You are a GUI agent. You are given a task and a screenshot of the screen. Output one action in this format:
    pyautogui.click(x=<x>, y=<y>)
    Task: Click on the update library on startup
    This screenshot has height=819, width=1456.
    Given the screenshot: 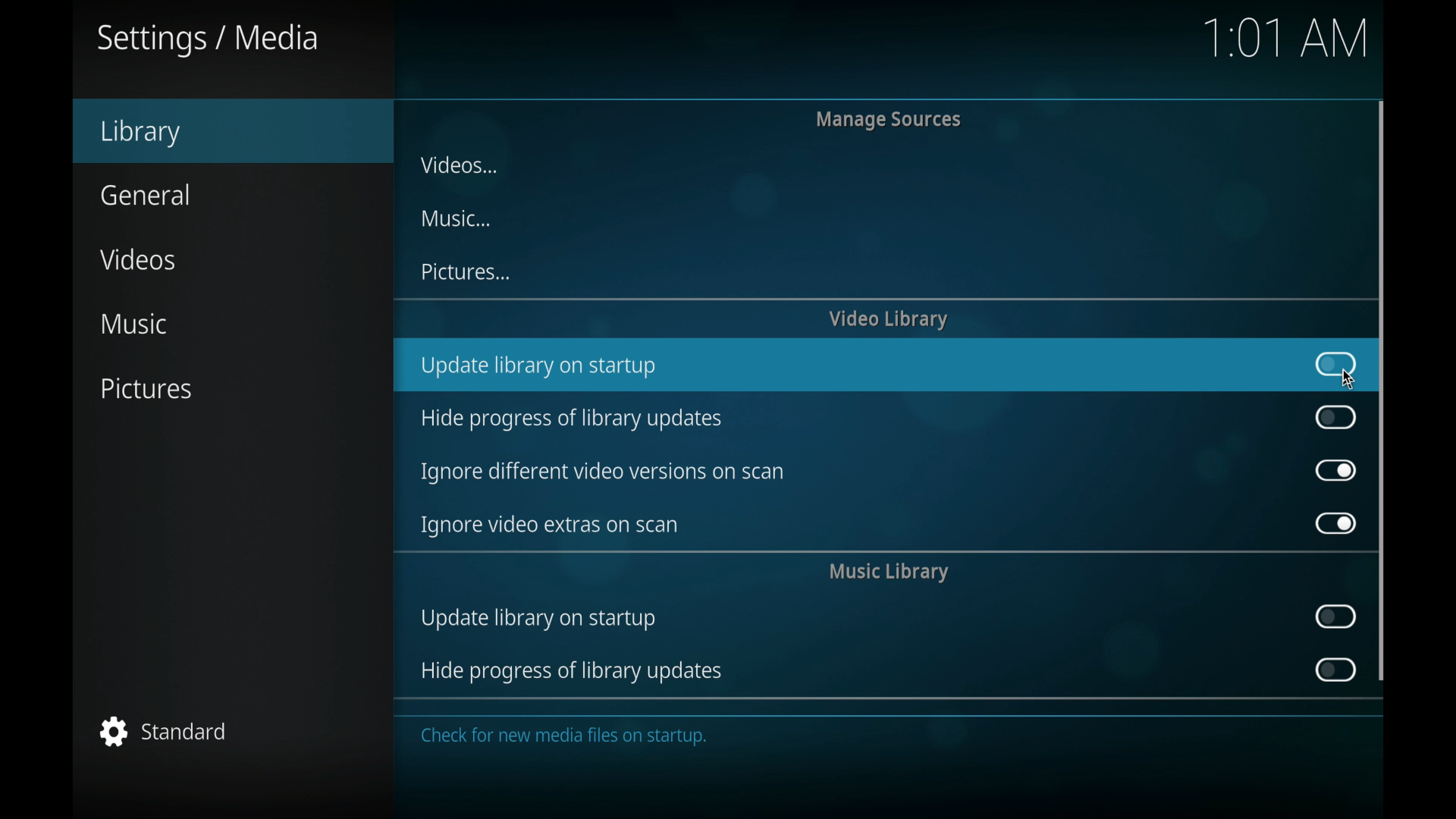 What is the action you would take?
    pyautogui.click(x=538, y=621)
    